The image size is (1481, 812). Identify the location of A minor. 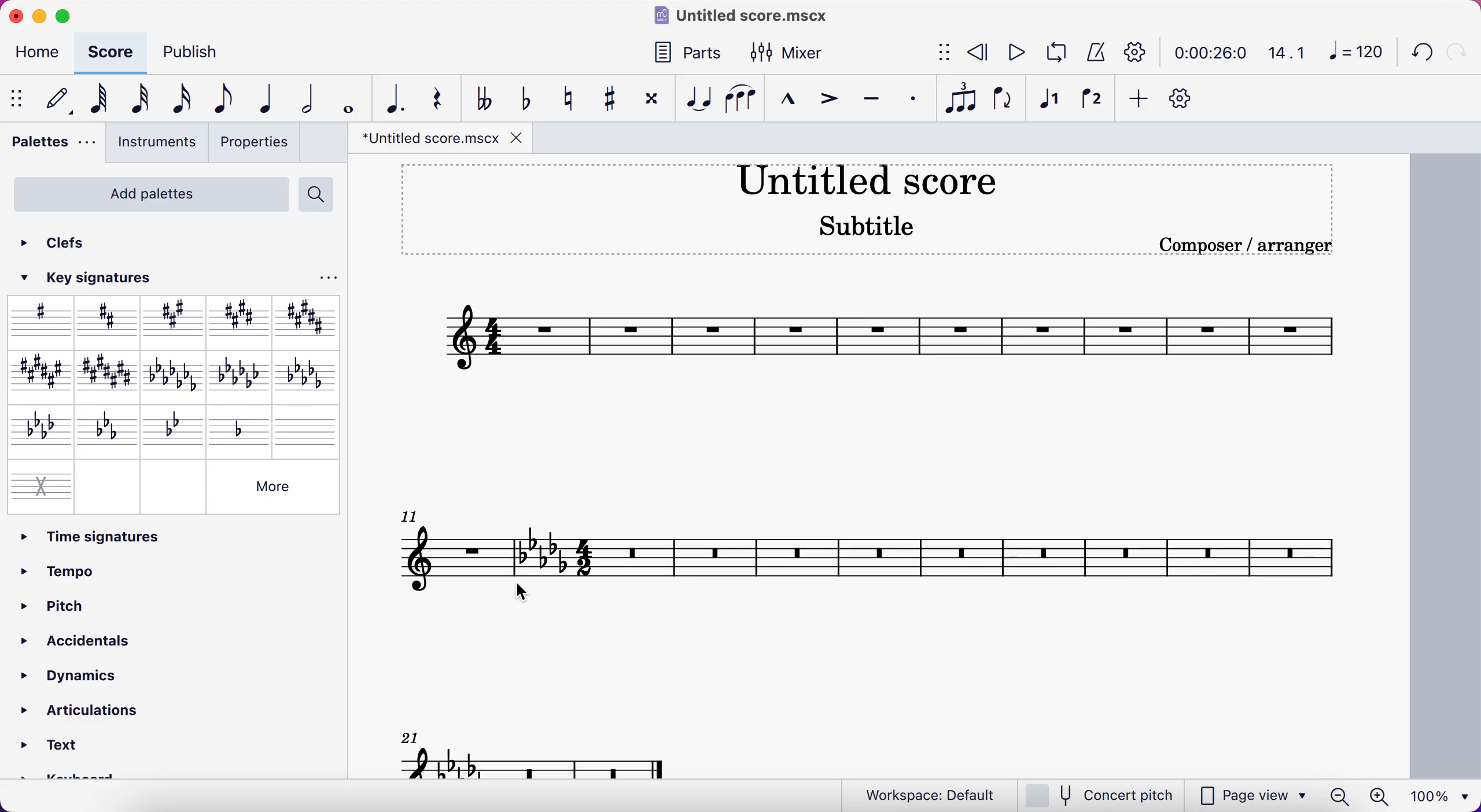
(175, 375).